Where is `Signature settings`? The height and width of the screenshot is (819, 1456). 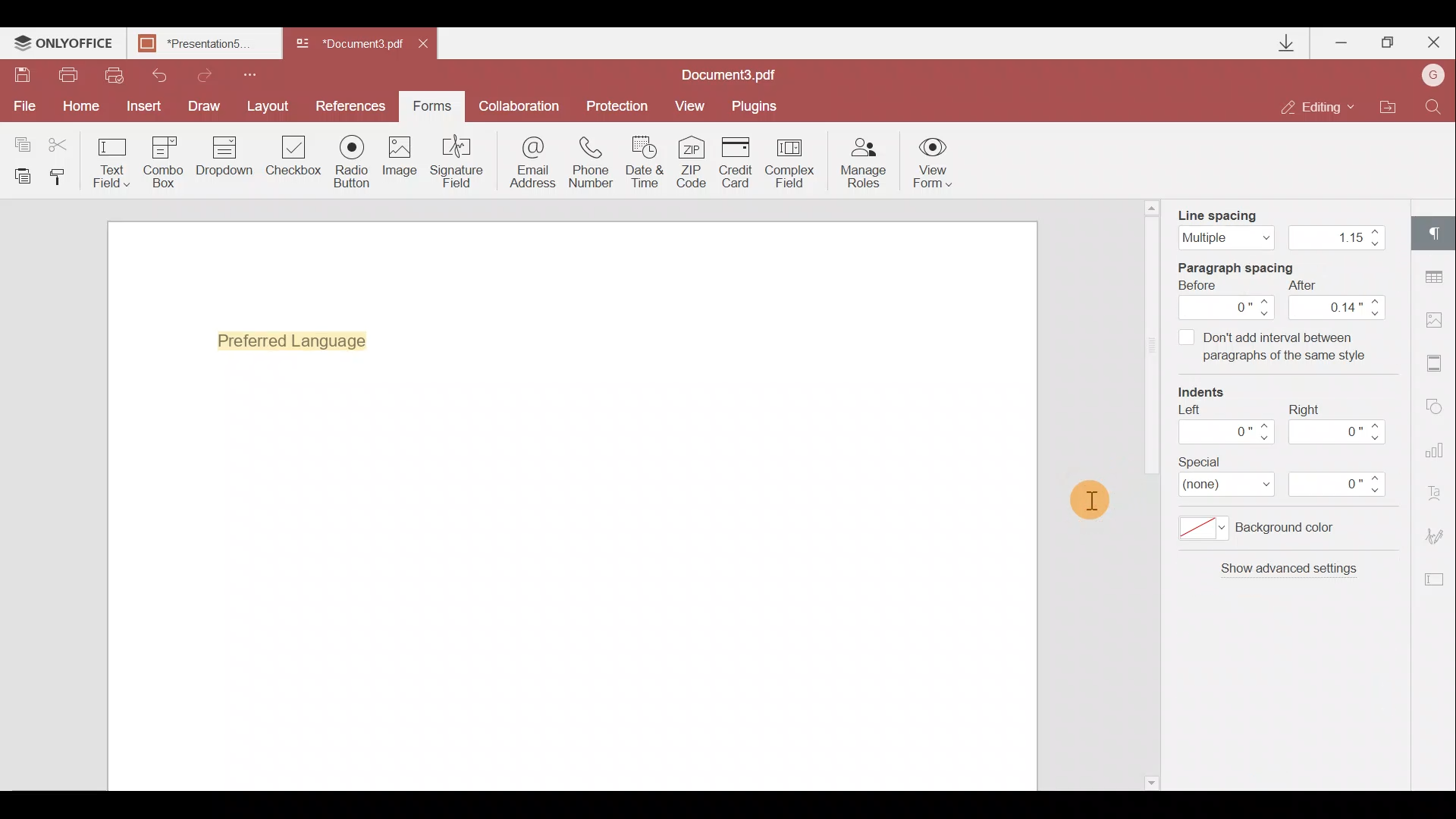 Signature settings is located at coordinates (1438, 540).